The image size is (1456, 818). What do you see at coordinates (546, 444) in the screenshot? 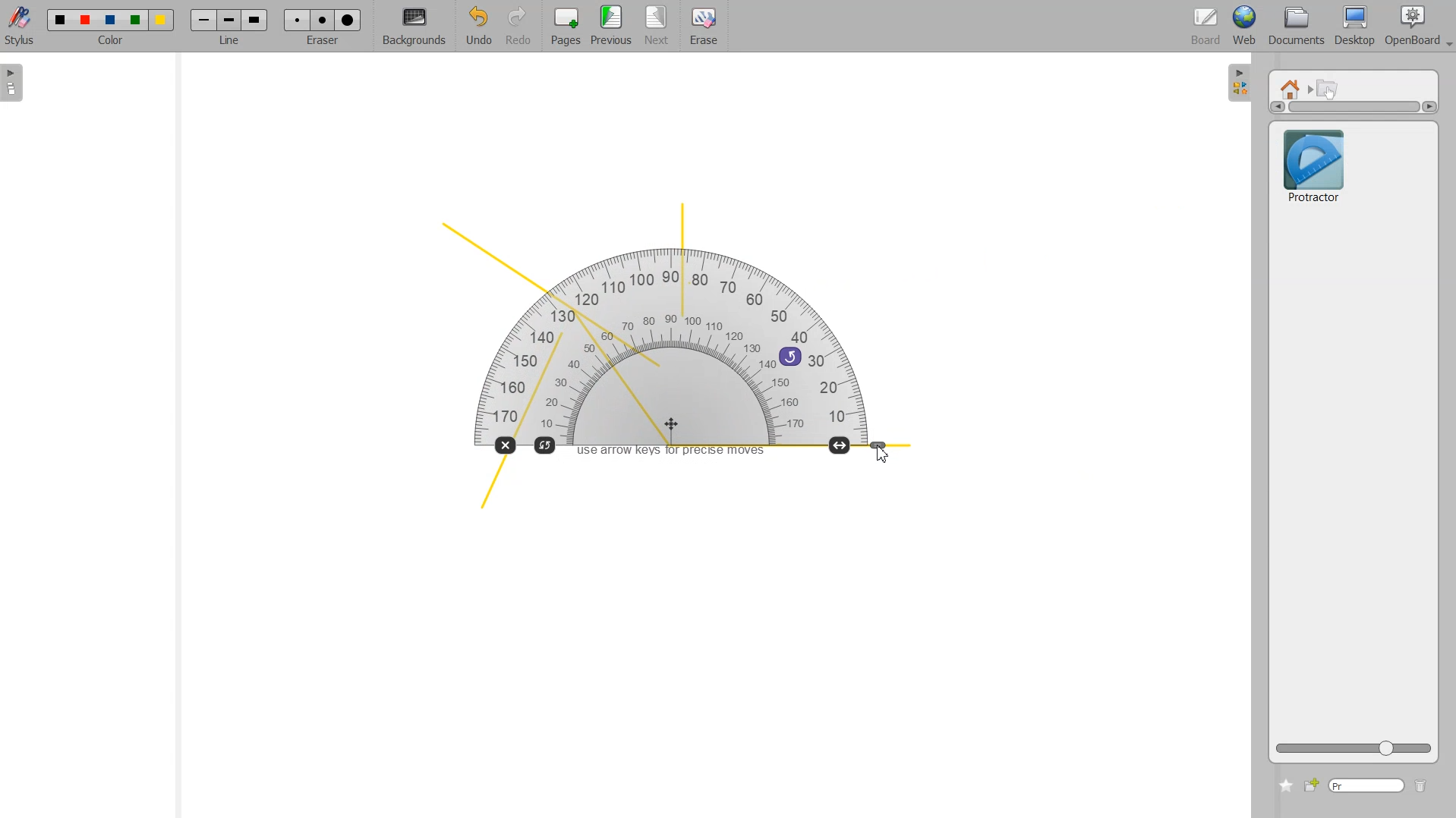
I see `Flip` at bounding box center [546, 444].